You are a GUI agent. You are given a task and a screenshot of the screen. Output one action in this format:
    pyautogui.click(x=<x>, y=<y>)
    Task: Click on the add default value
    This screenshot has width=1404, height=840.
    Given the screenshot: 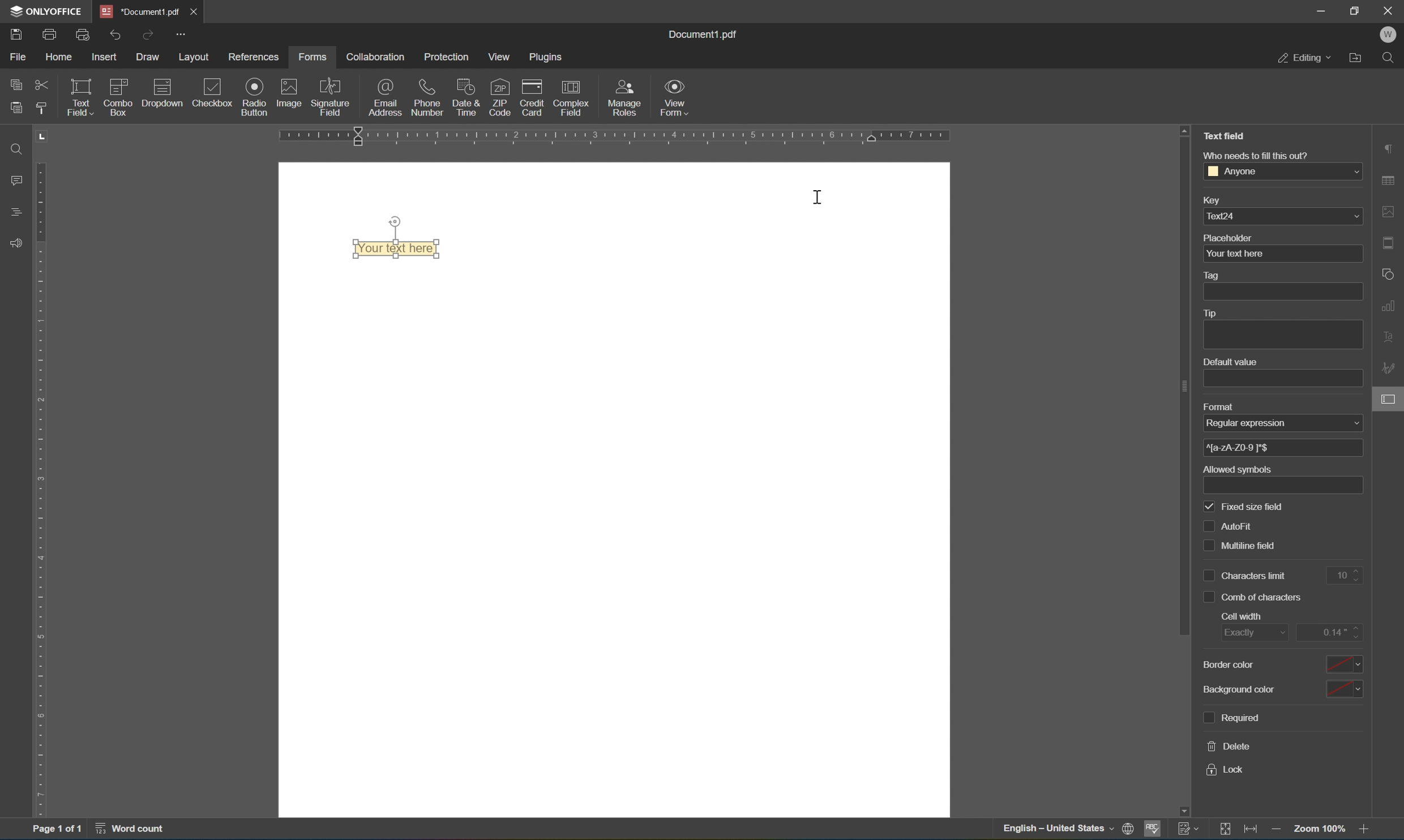 What is the action you would take?
    pyautogui.click(x=1283, y=379)
    